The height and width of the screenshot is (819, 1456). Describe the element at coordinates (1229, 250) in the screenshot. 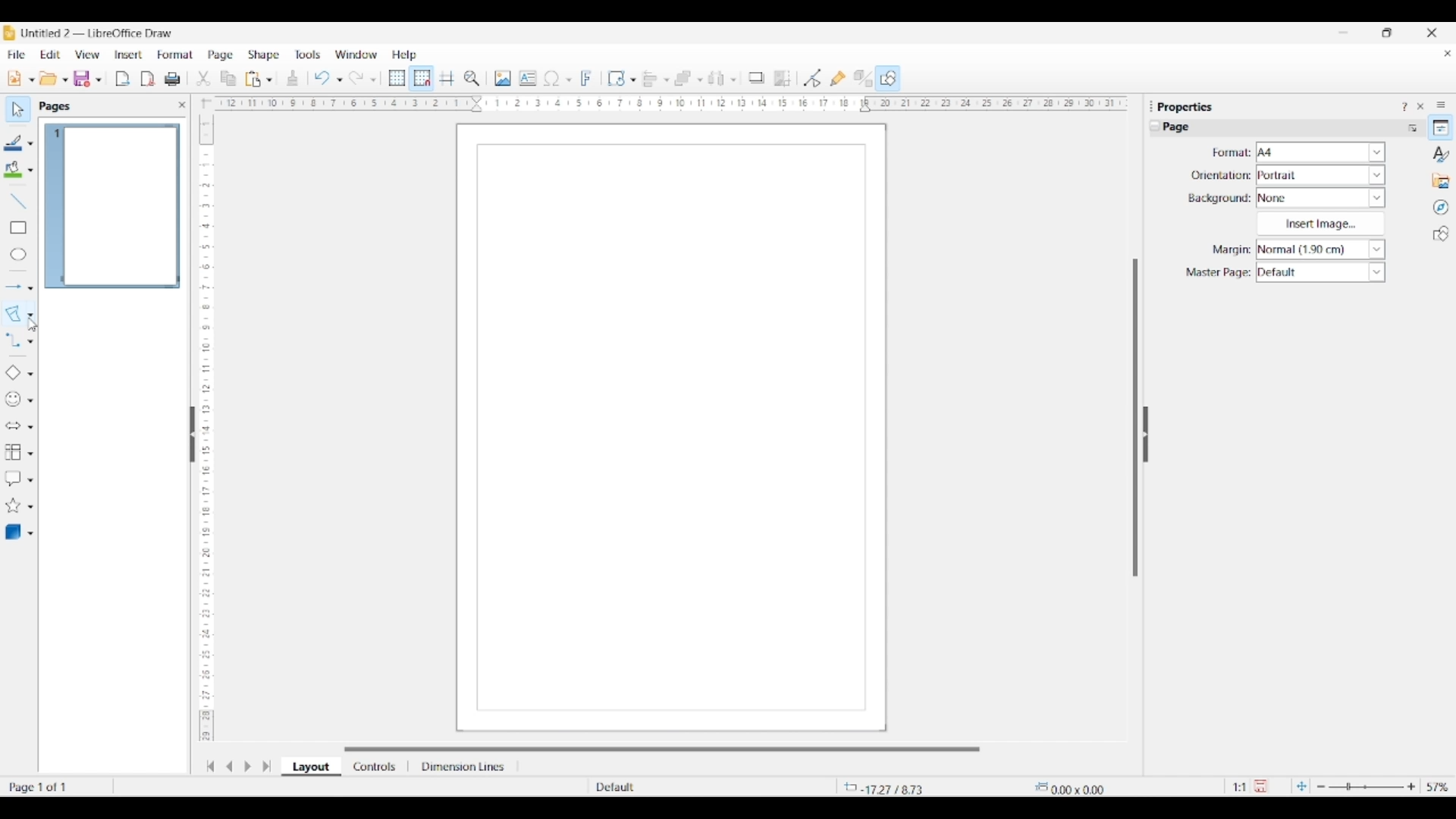

I see `Indicates margin settings` at that location.